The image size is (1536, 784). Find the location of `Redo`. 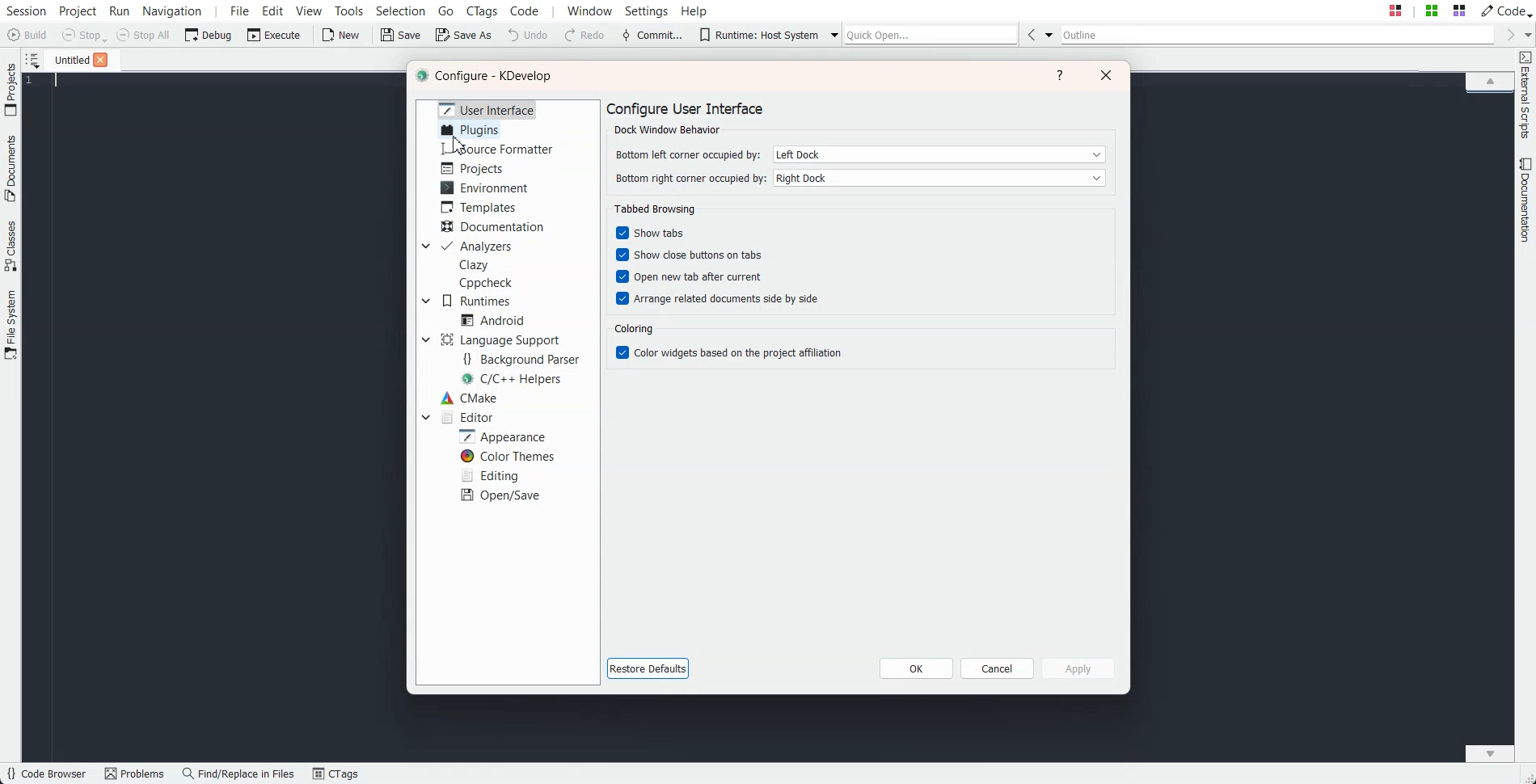

Redo is located at coordinates (585, 36).